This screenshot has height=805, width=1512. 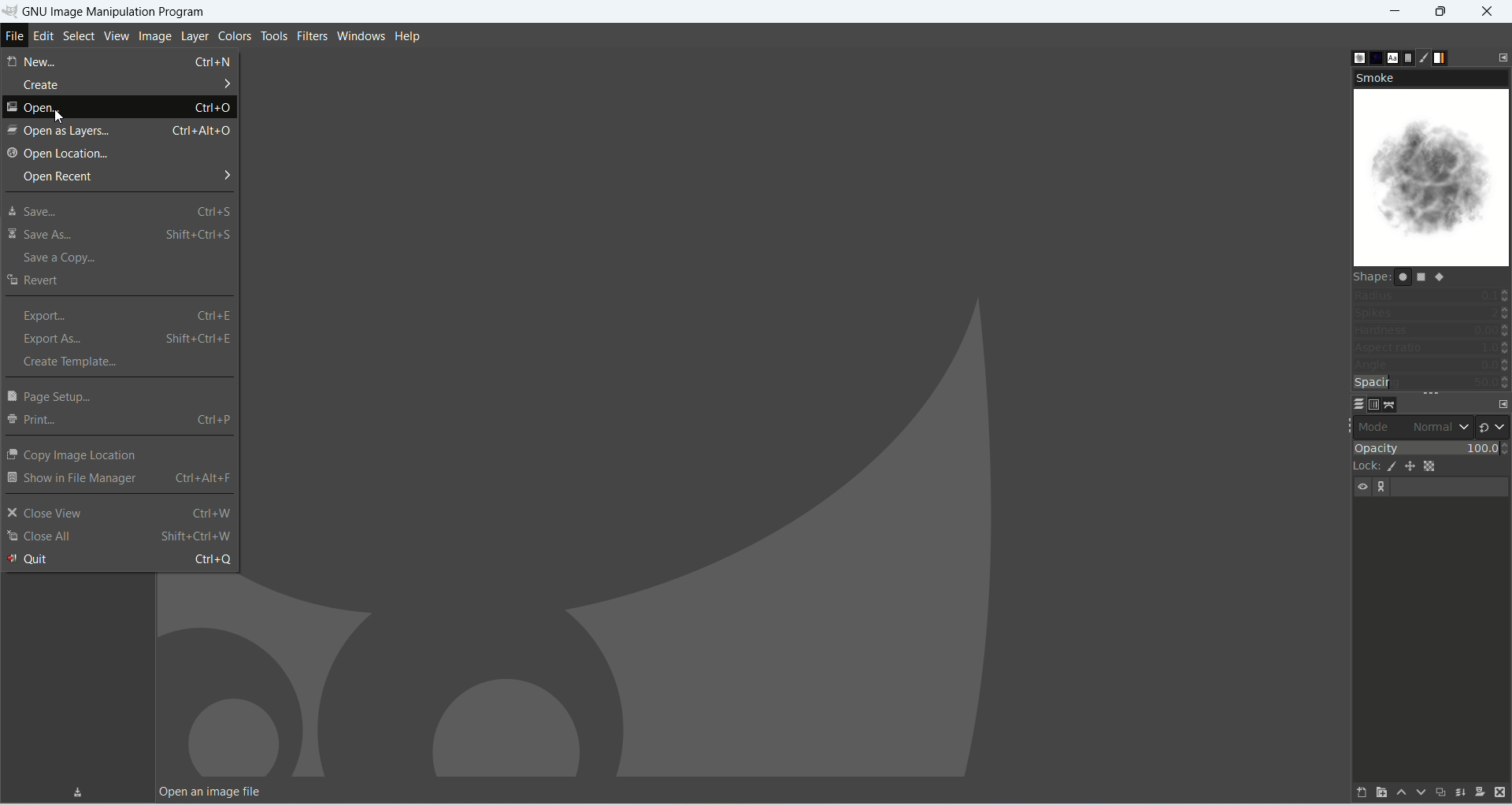 What do you see at coordinates (1430, 78) in the screenshot?
I see `smoke` at bounding box center [1430, 78].